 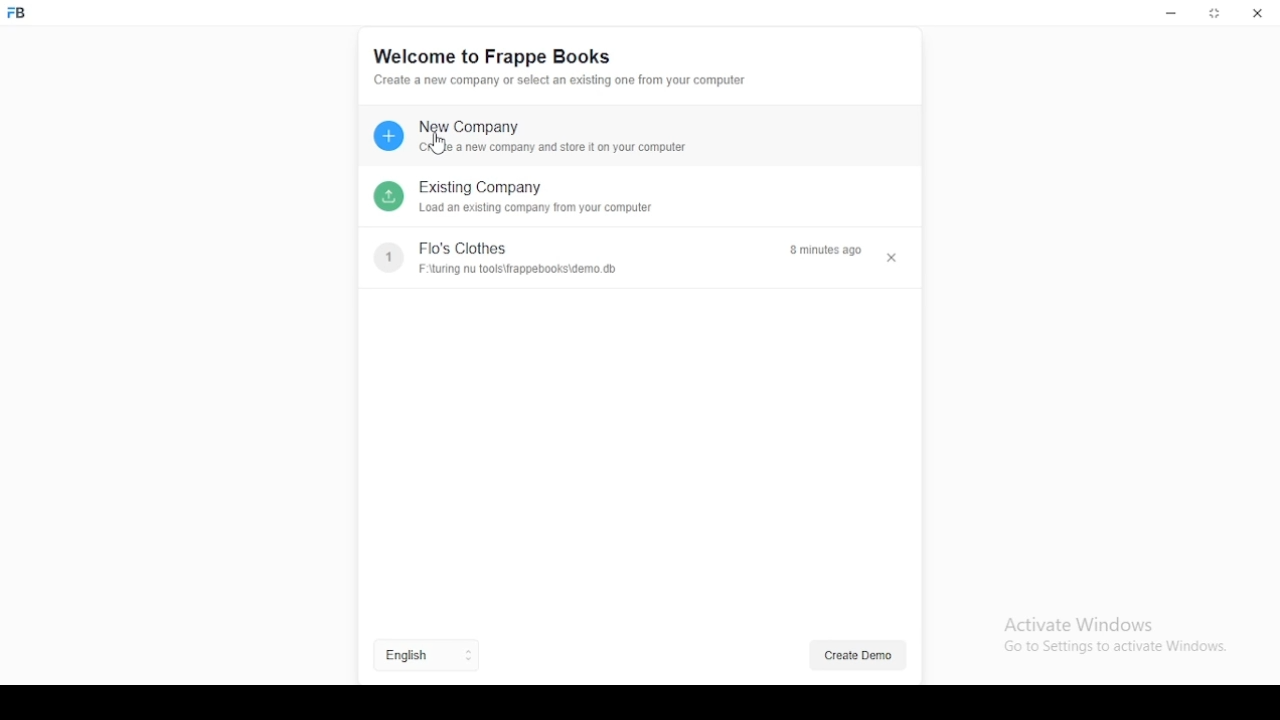 What do you see at coordinates (894, 258) in the screenshot?
I see `close` at bounding box center [894, 258].